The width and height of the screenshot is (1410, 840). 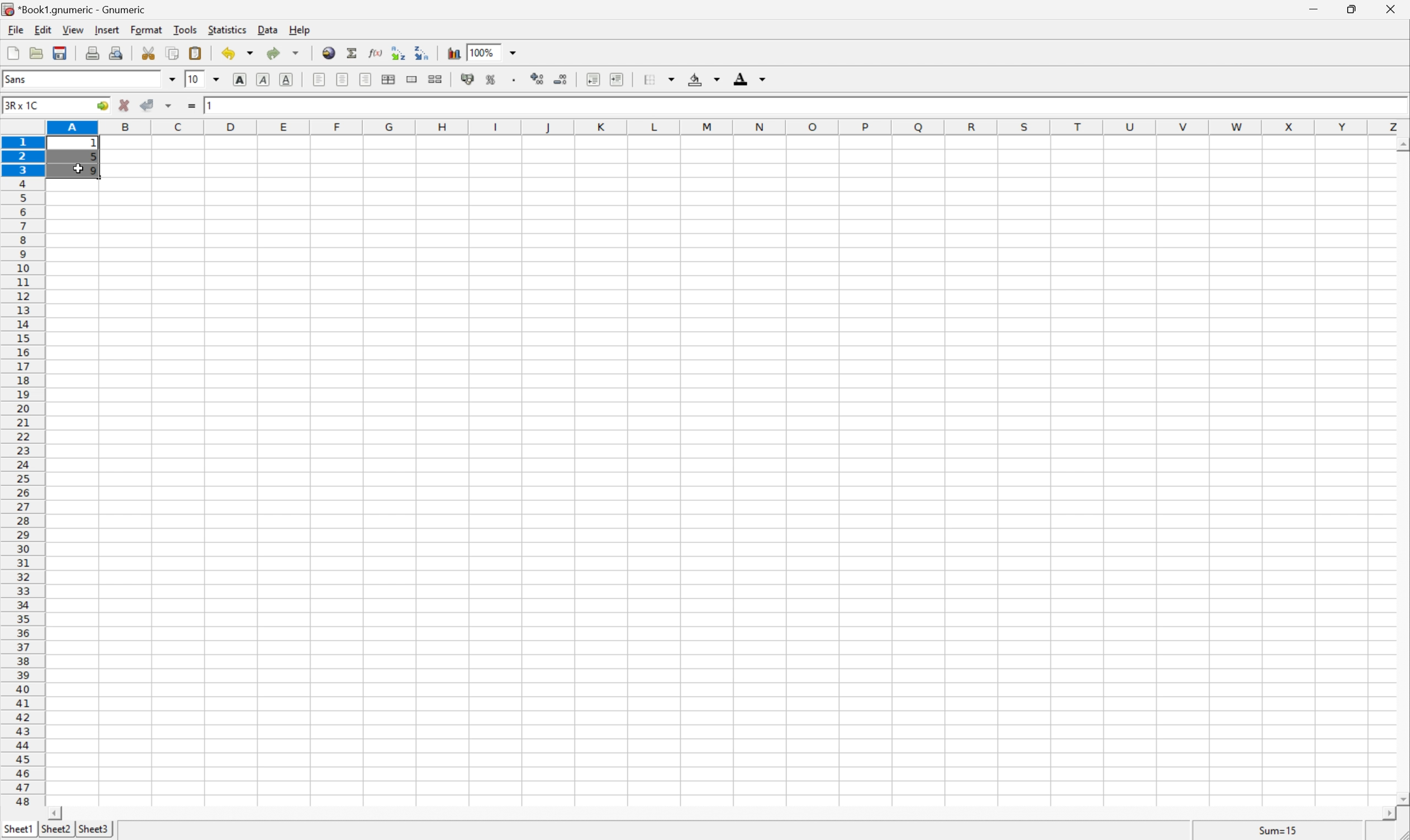 I want to click on print, so click(x=91, y=51).